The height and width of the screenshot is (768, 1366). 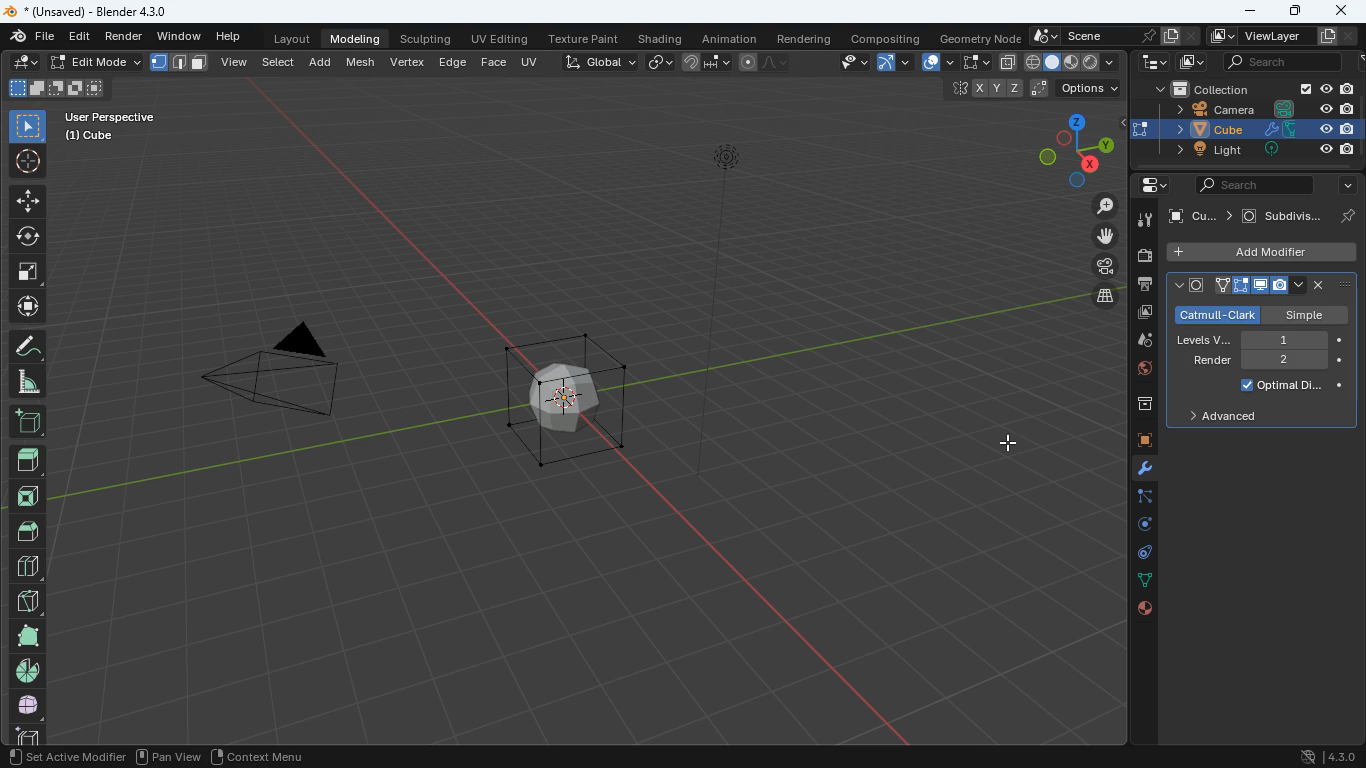 I want to click on camera, so click(x=297, y=381).